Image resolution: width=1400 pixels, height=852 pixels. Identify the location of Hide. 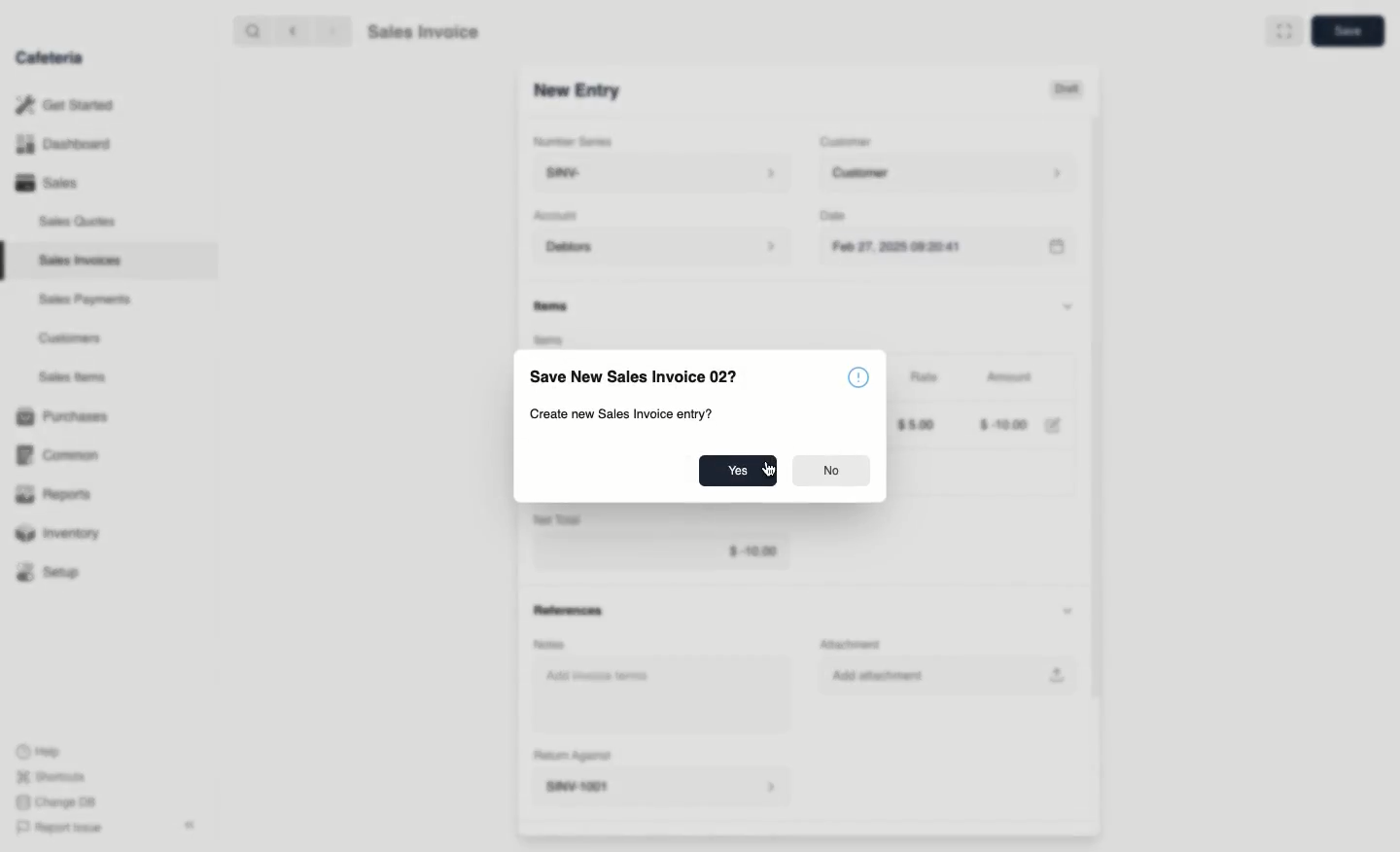
(1075, 303).